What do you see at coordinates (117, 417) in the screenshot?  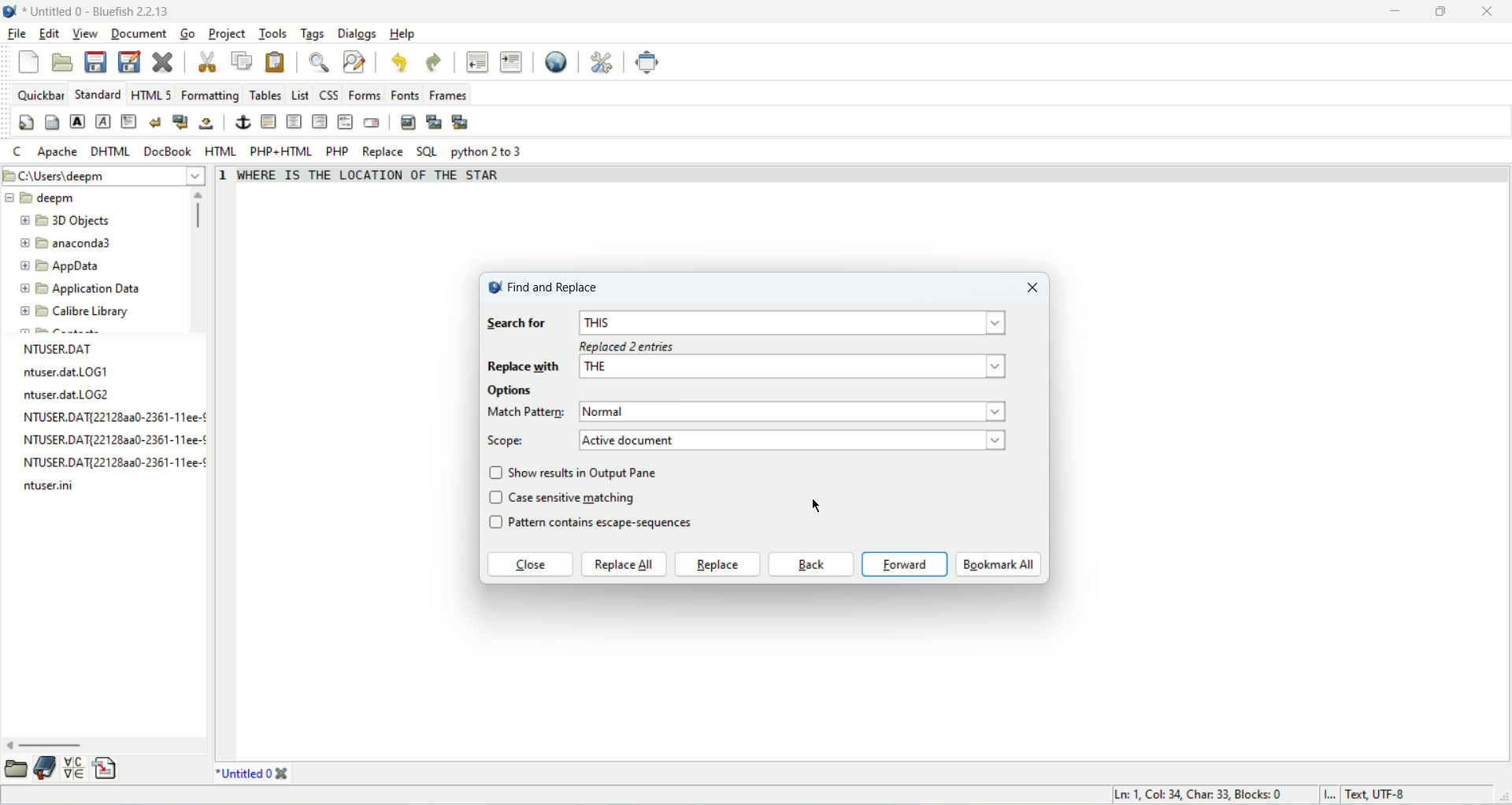 I see `file name` at bounding box center [117, 417].